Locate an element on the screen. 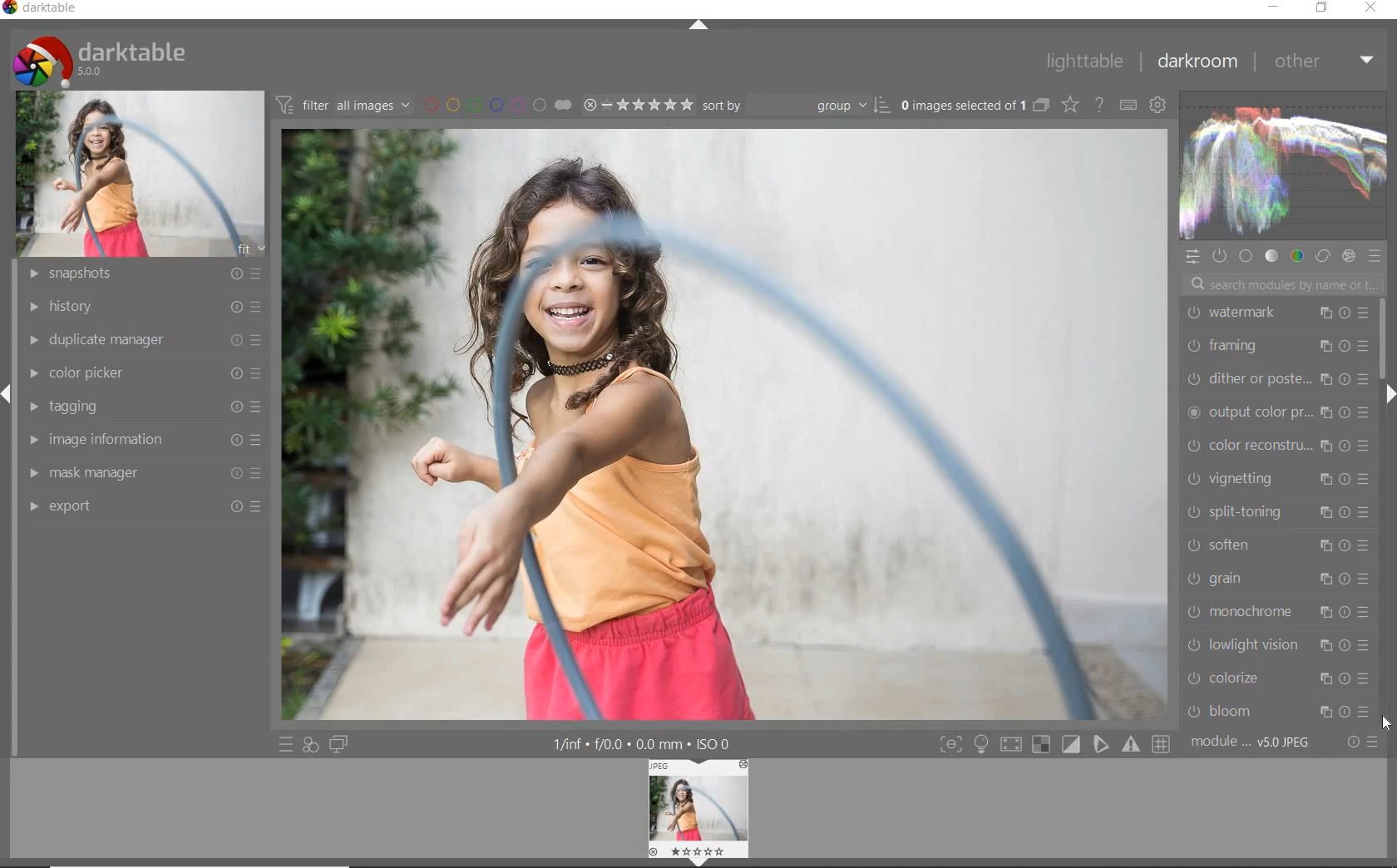  split toning is located at coordinates (1279, 513).